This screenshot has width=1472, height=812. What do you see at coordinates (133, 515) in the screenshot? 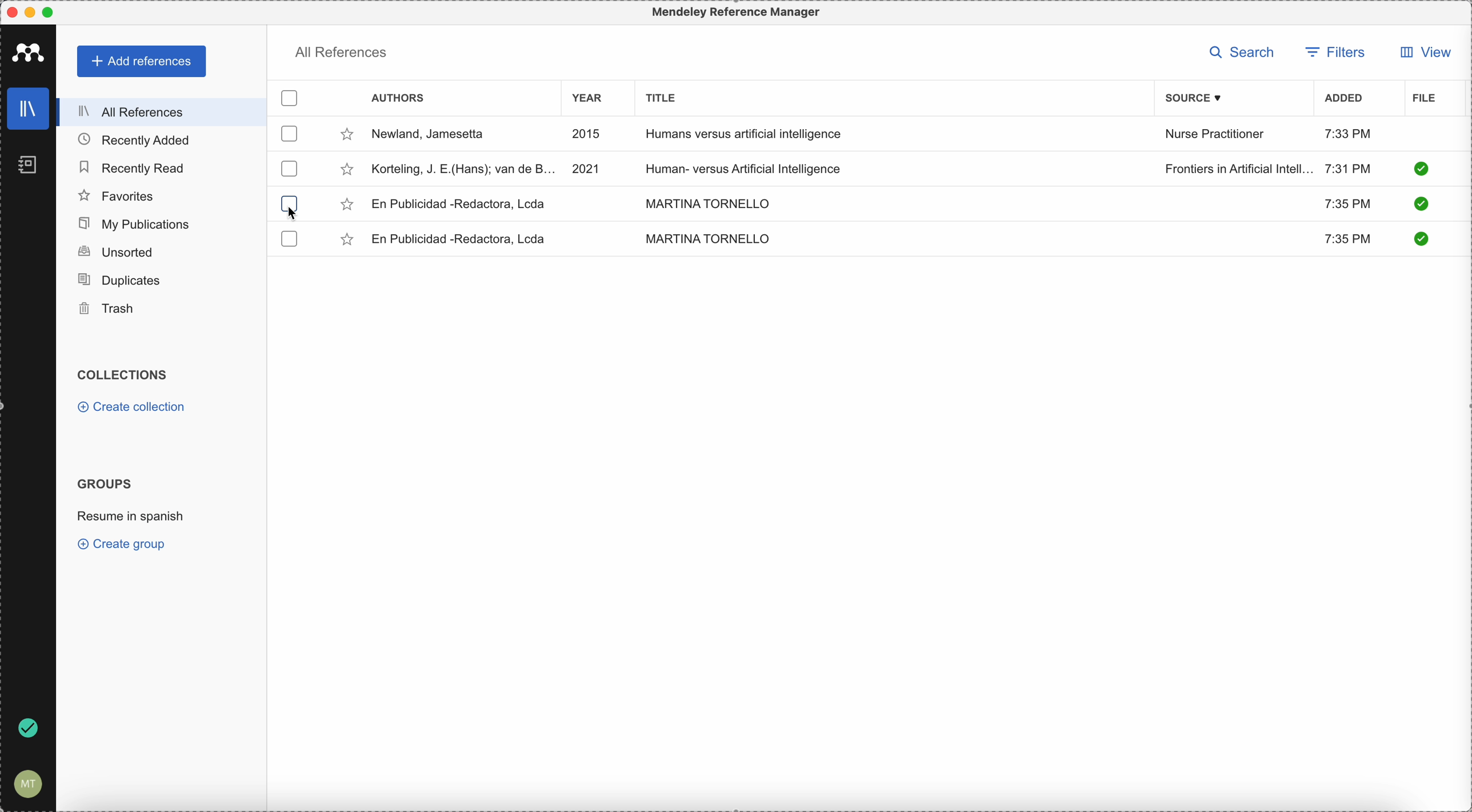
I see `resume in spanish group` at bounding box center [133, 515].